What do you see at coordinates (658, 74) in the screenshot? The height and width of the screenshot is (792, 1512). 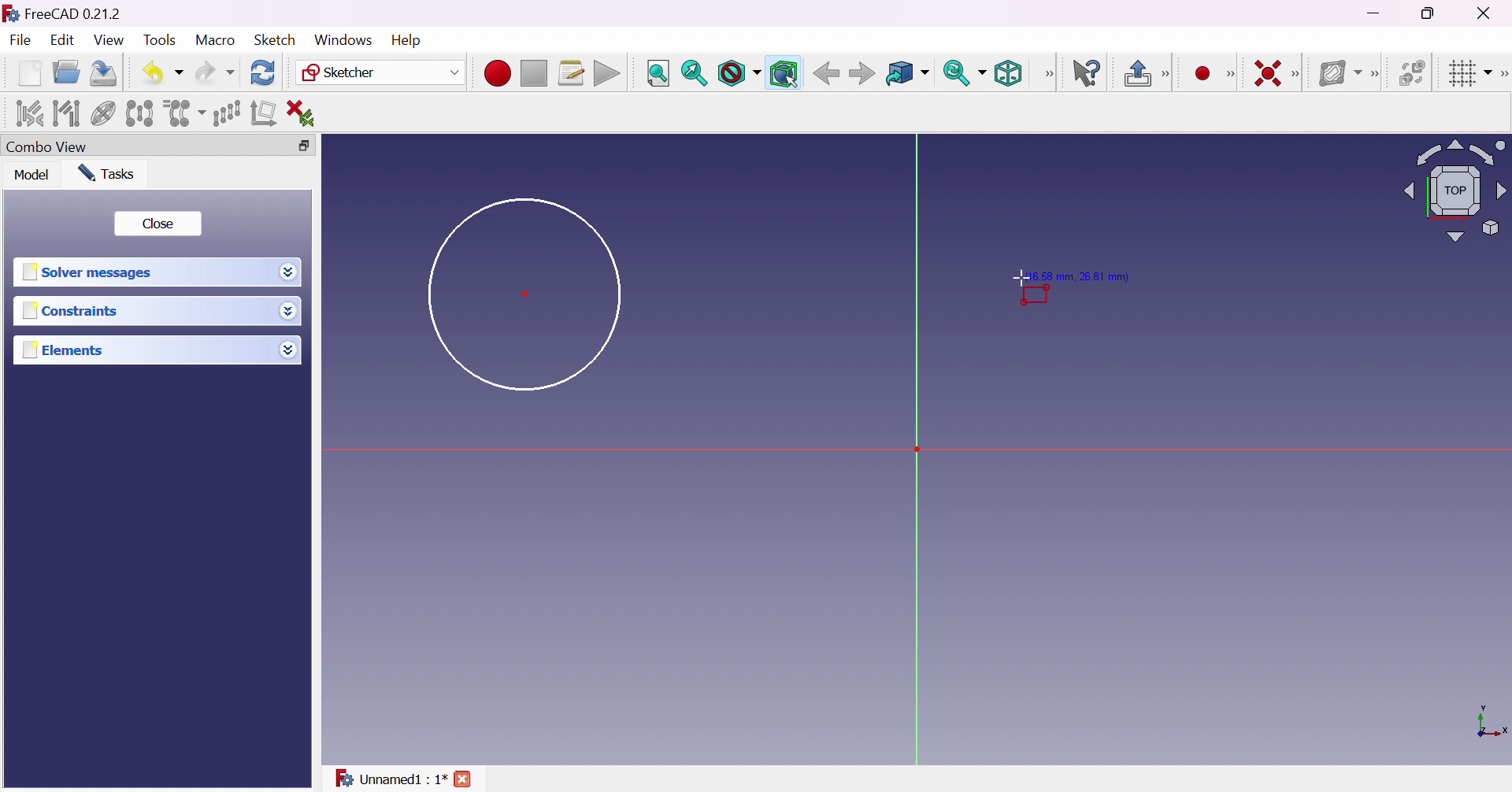 I see `Fit all` at bounding box center [658, 74].